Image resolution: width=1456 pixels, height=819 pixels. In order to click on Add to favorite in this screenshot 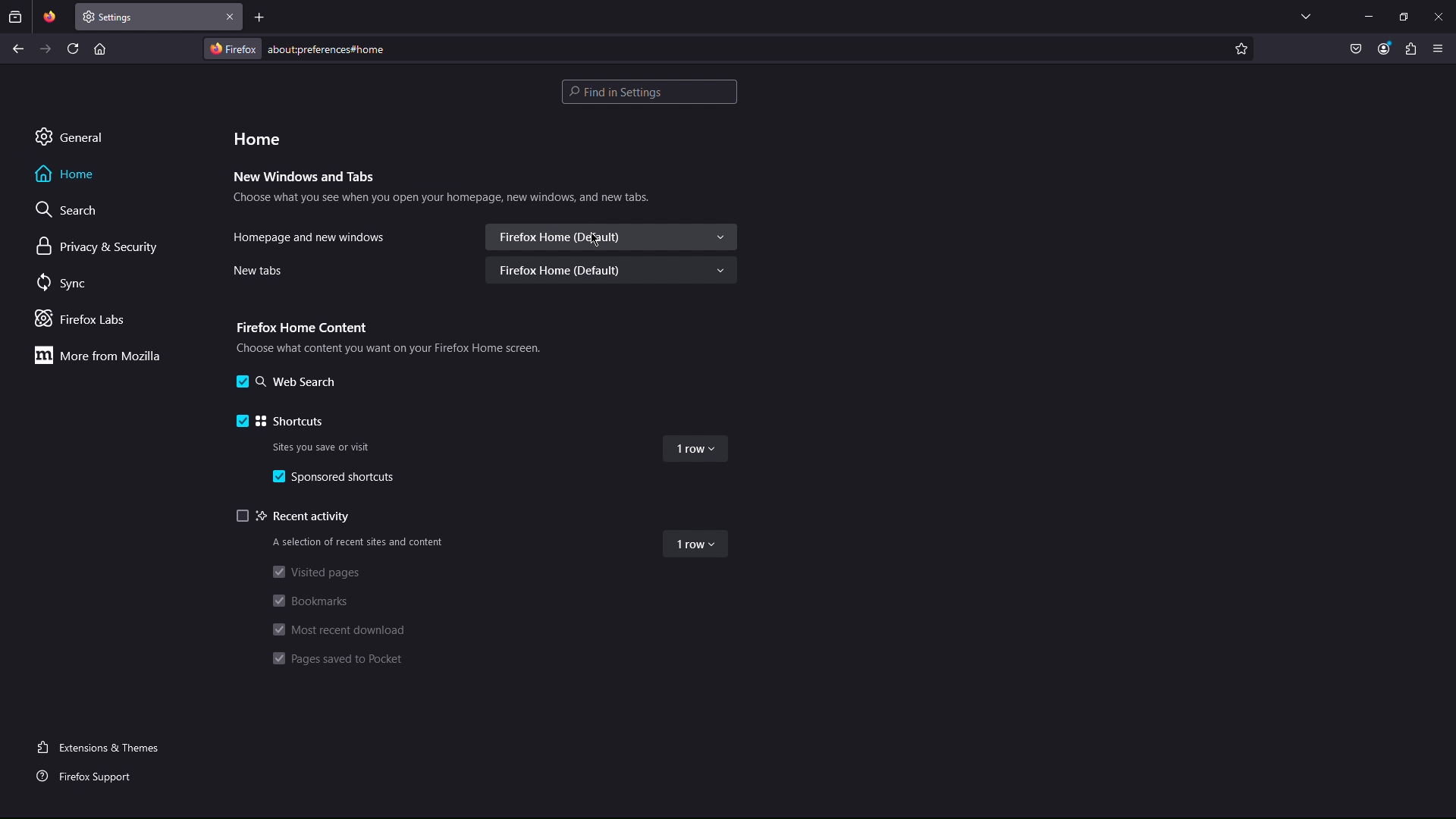, I will do `click(1241, 49)`.